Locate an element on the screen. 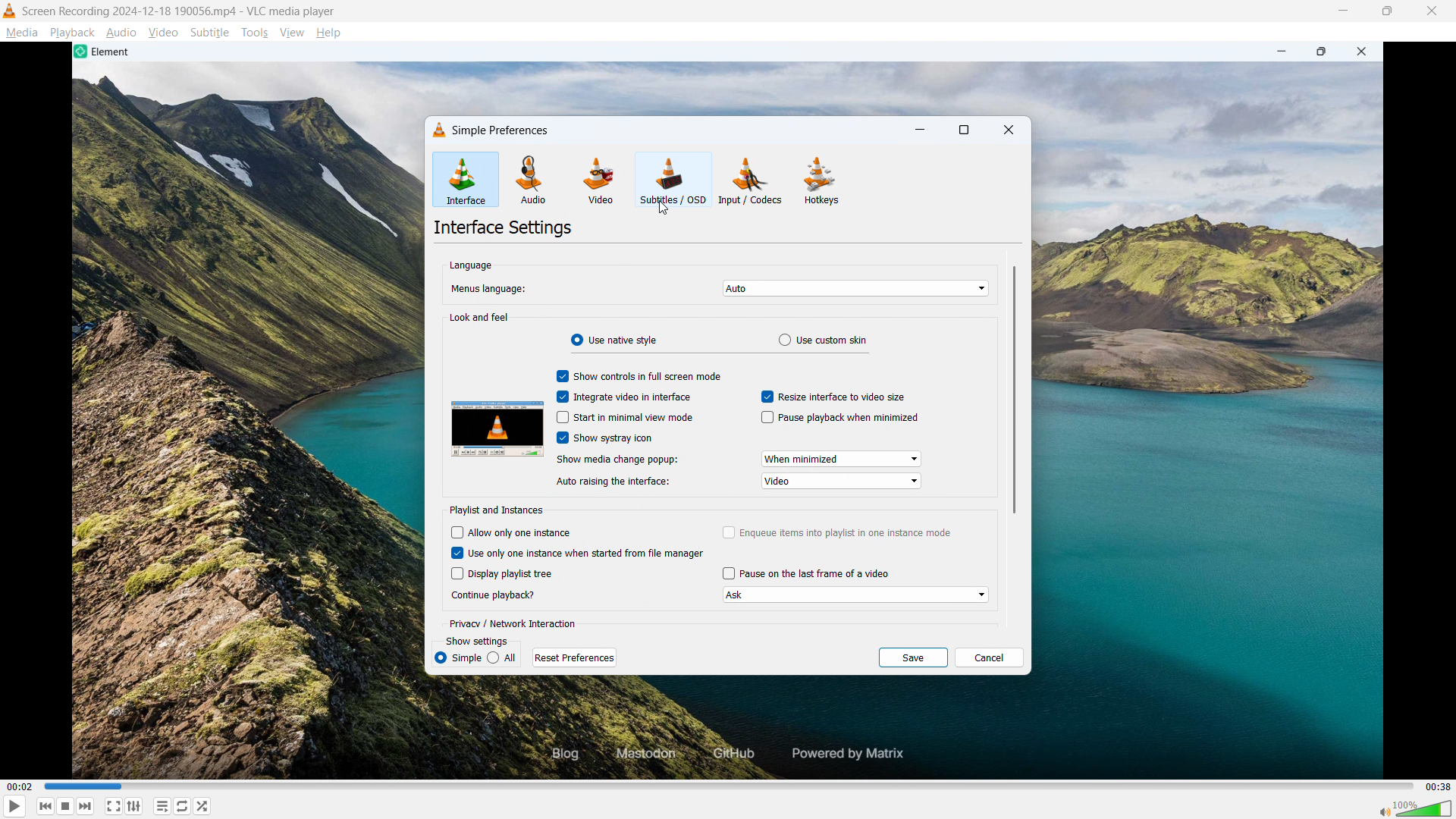  VLC Logo  is located at coordinates (9, 11).